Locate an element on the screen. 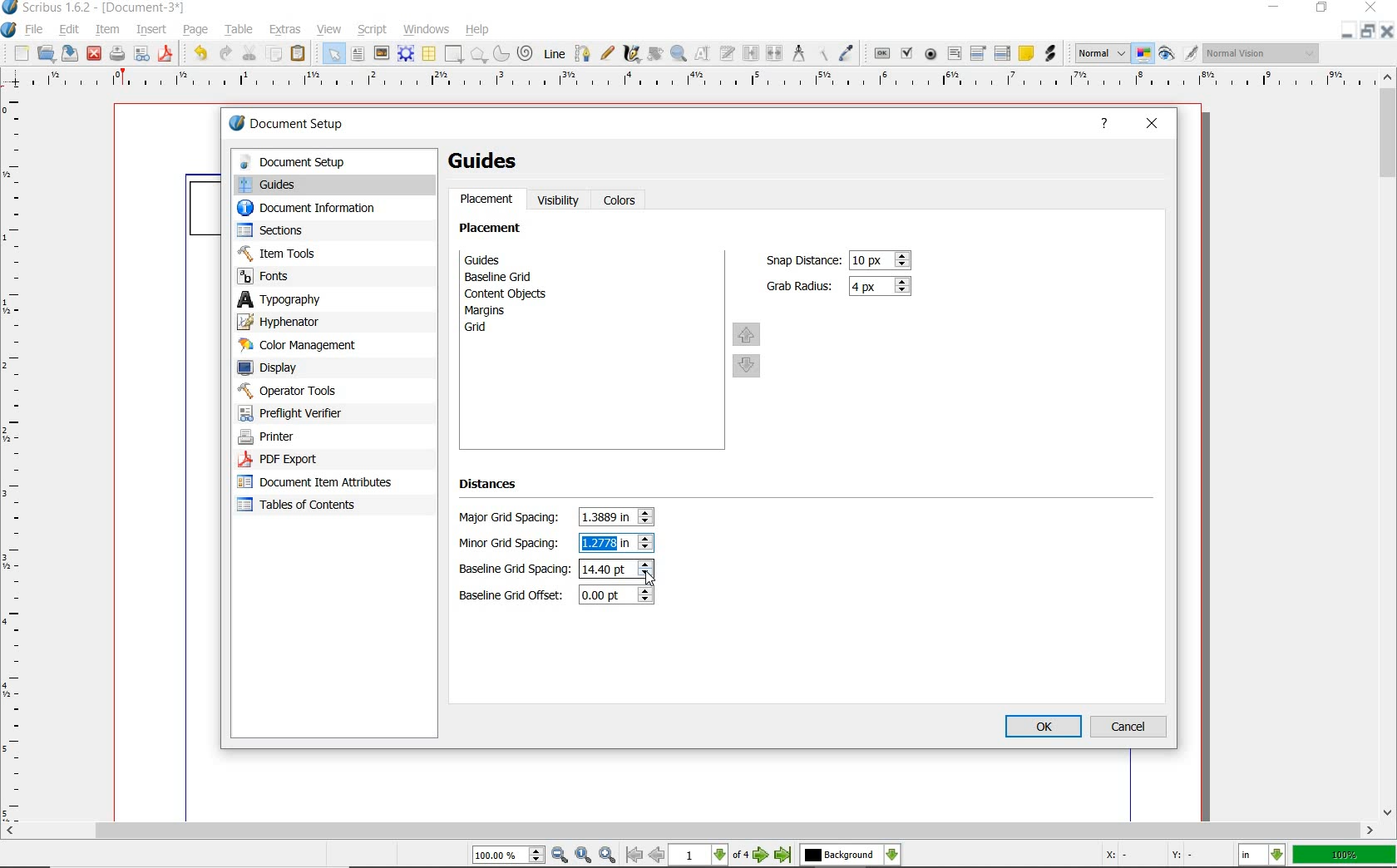  X: - Y: - is located at coordinates (1146, 855).